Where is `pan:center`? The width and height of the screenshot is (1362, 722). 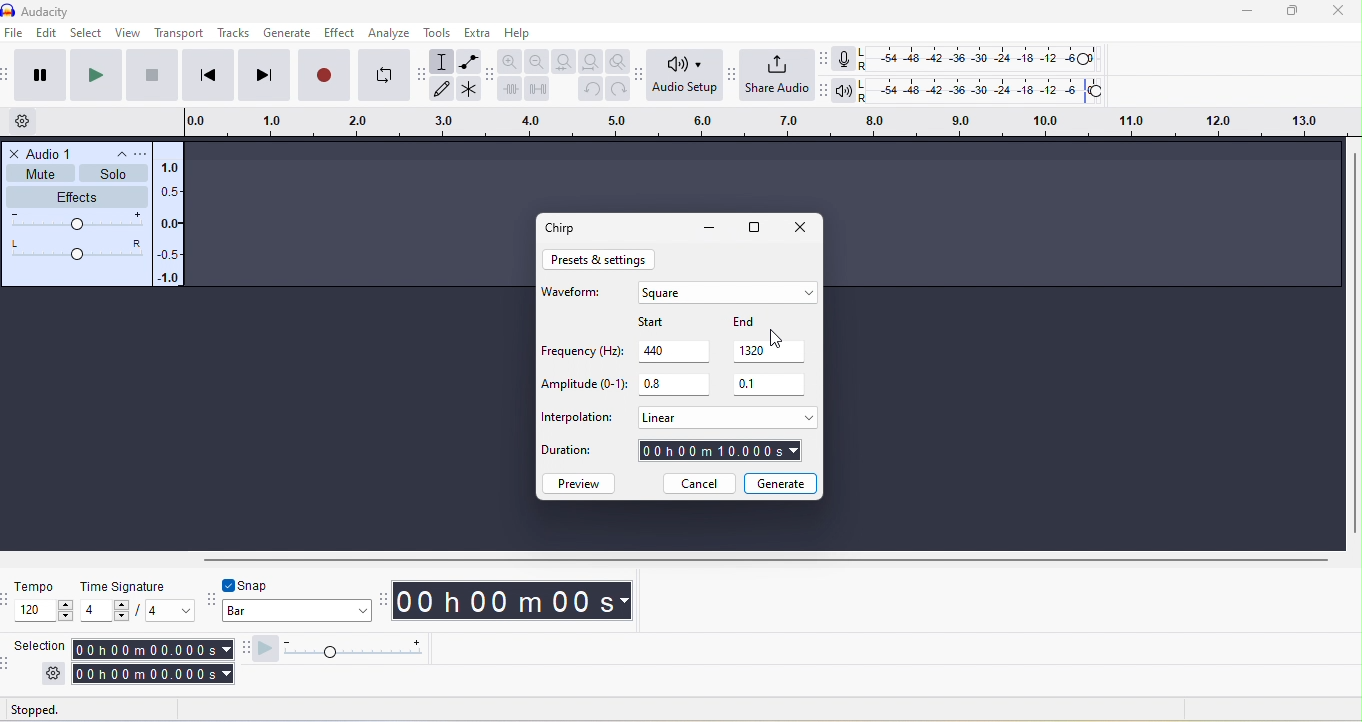
pan:center is located at coordinates (77, 249).